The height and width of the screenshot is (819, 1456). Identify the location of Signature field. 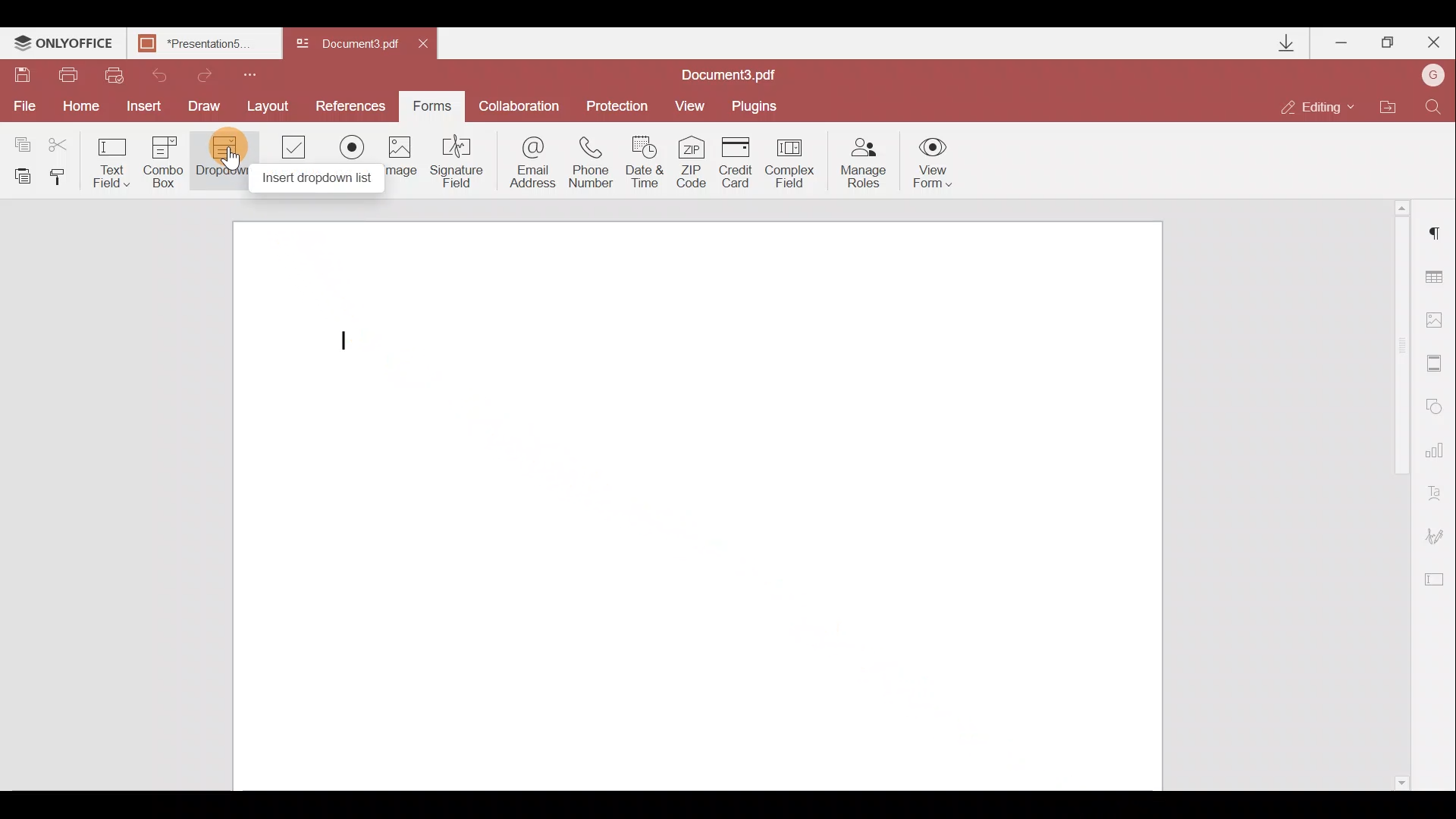
(453, 161).